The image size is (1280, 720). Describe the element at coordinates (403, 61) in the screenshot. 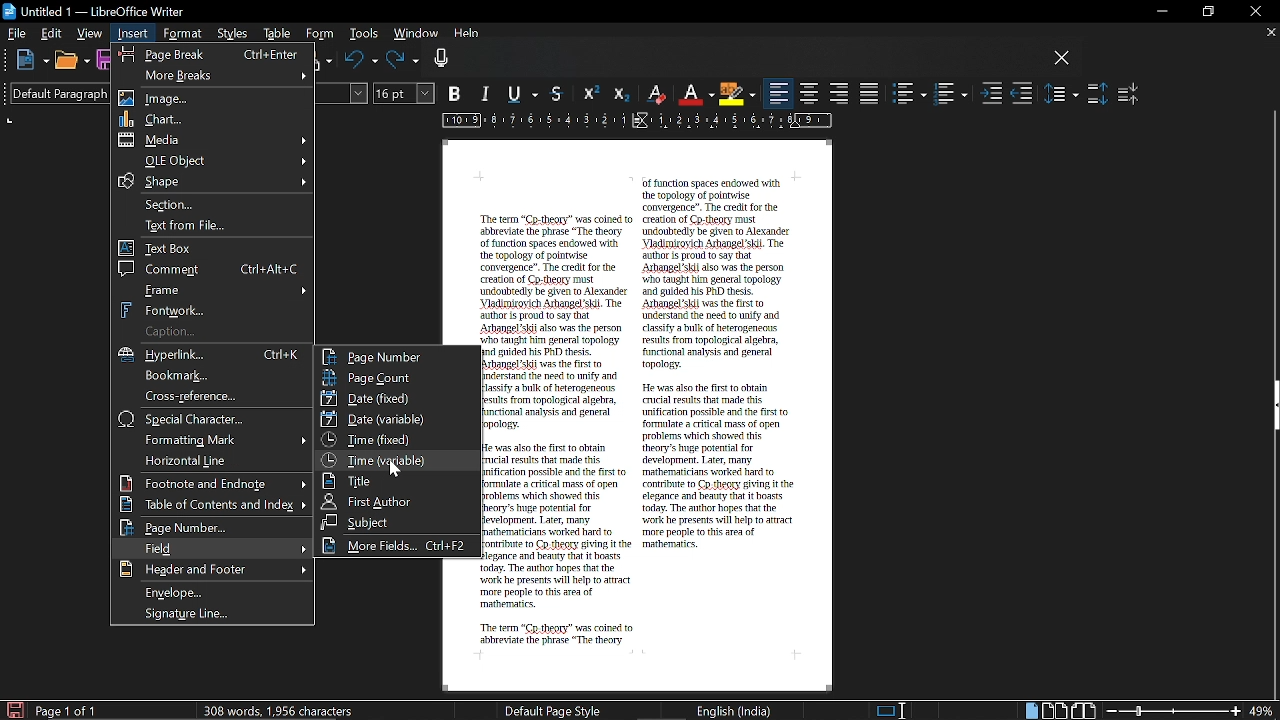

I see `Redo` at that location.